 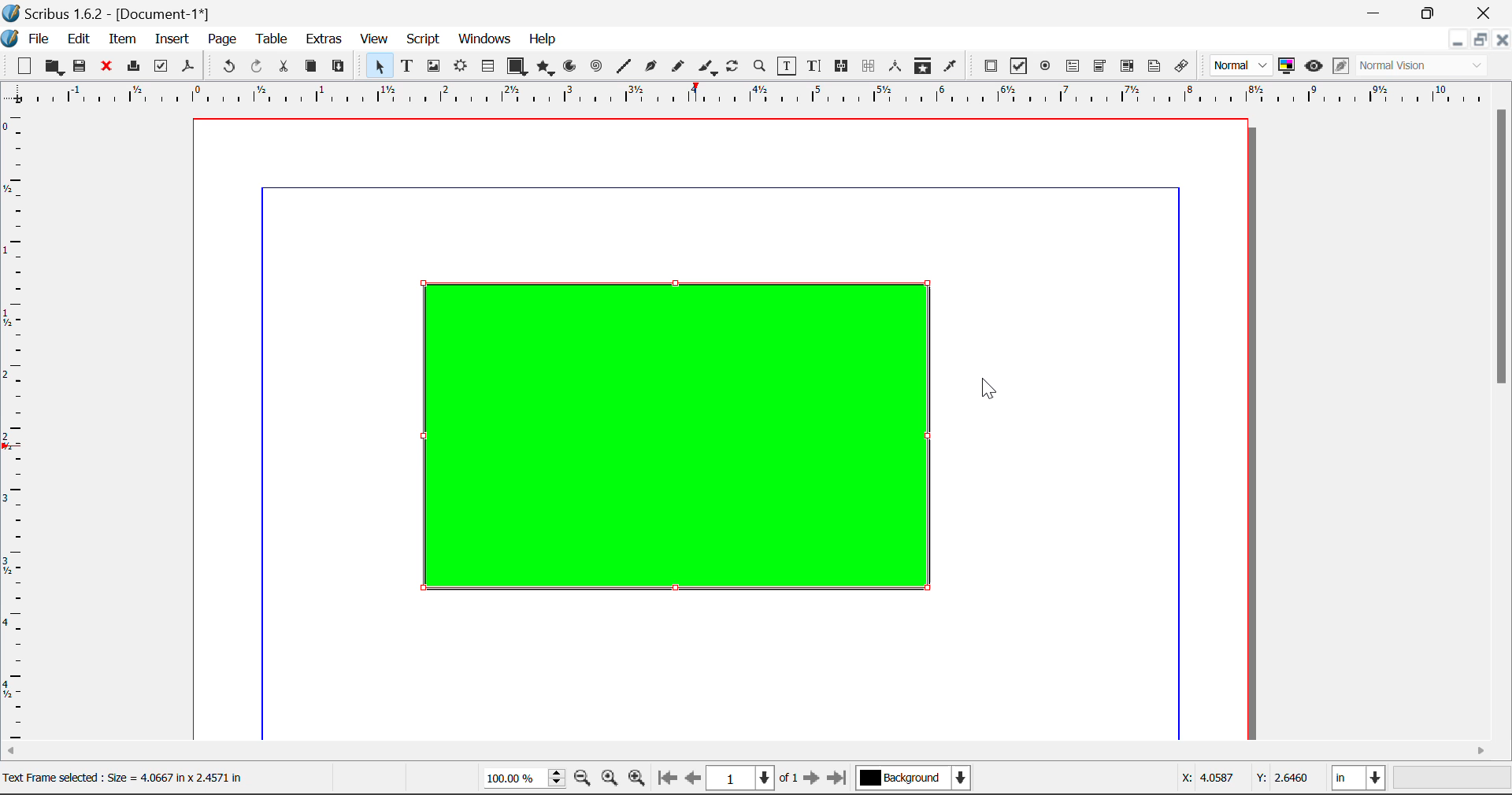 What do you see at coordinates (1242, 66) in the screenshot?
I see `Preview Mode` at bounding box center [1242, 66].